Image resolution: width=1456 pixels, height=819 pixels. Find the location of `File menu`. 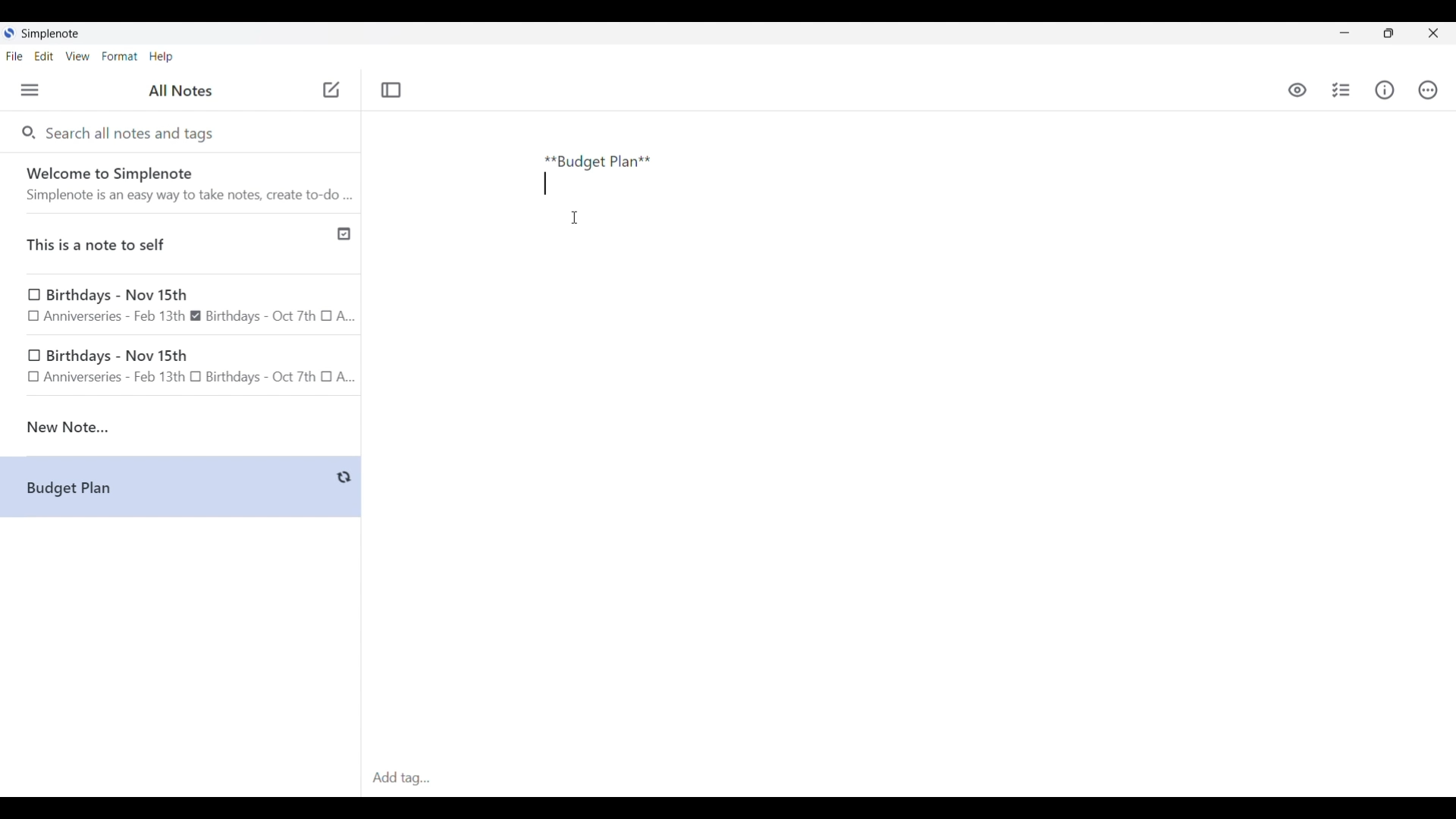

File menu is located at coordinates (14, 55).